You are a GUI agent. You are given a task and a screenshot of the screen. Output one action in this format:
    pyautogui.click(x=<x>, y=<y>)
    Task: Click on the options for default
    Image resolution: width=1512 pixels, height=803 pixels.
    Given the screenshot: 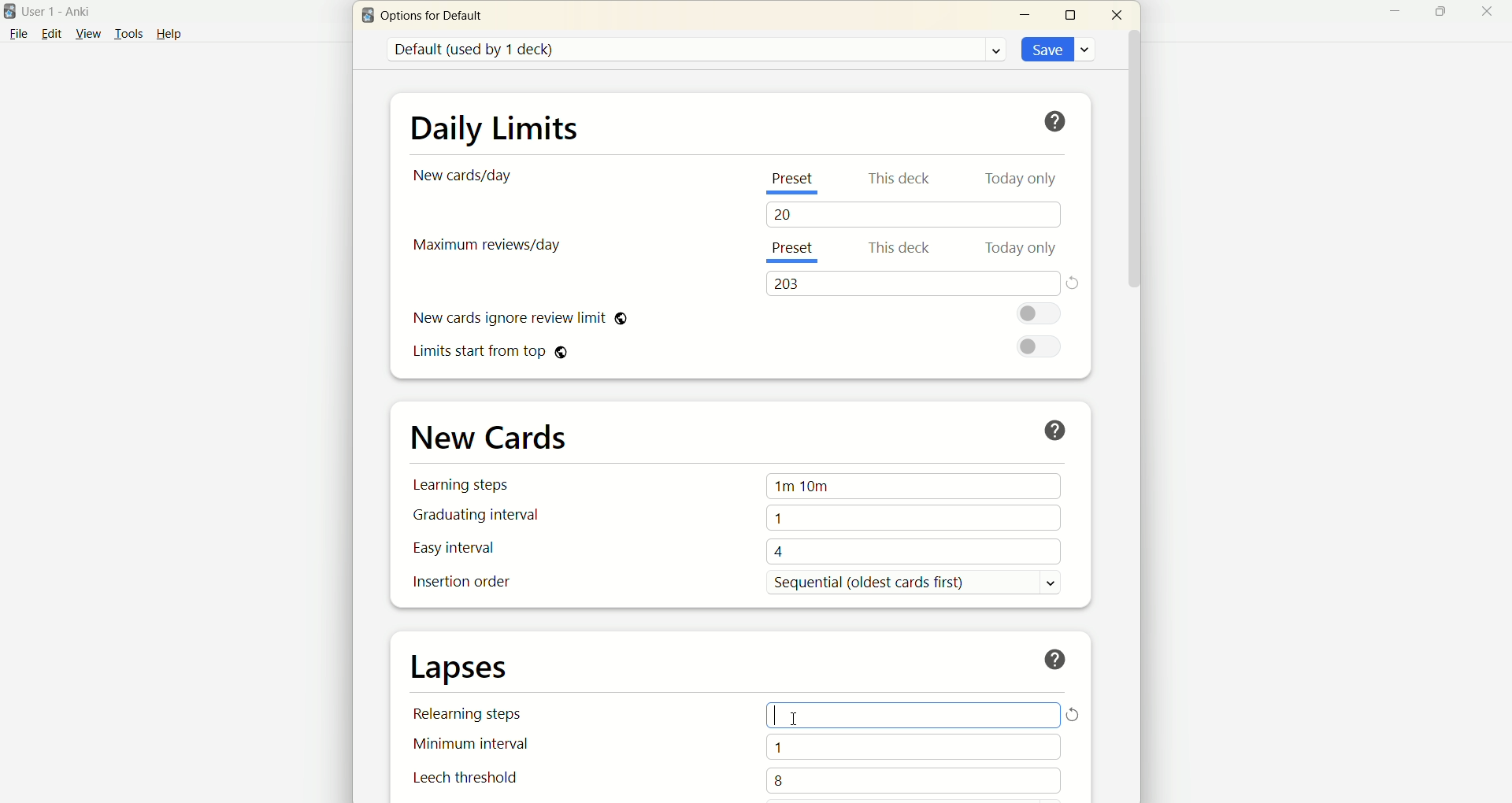 What is the action you would take?
    pyautogui.click(x=436, y=19)
    